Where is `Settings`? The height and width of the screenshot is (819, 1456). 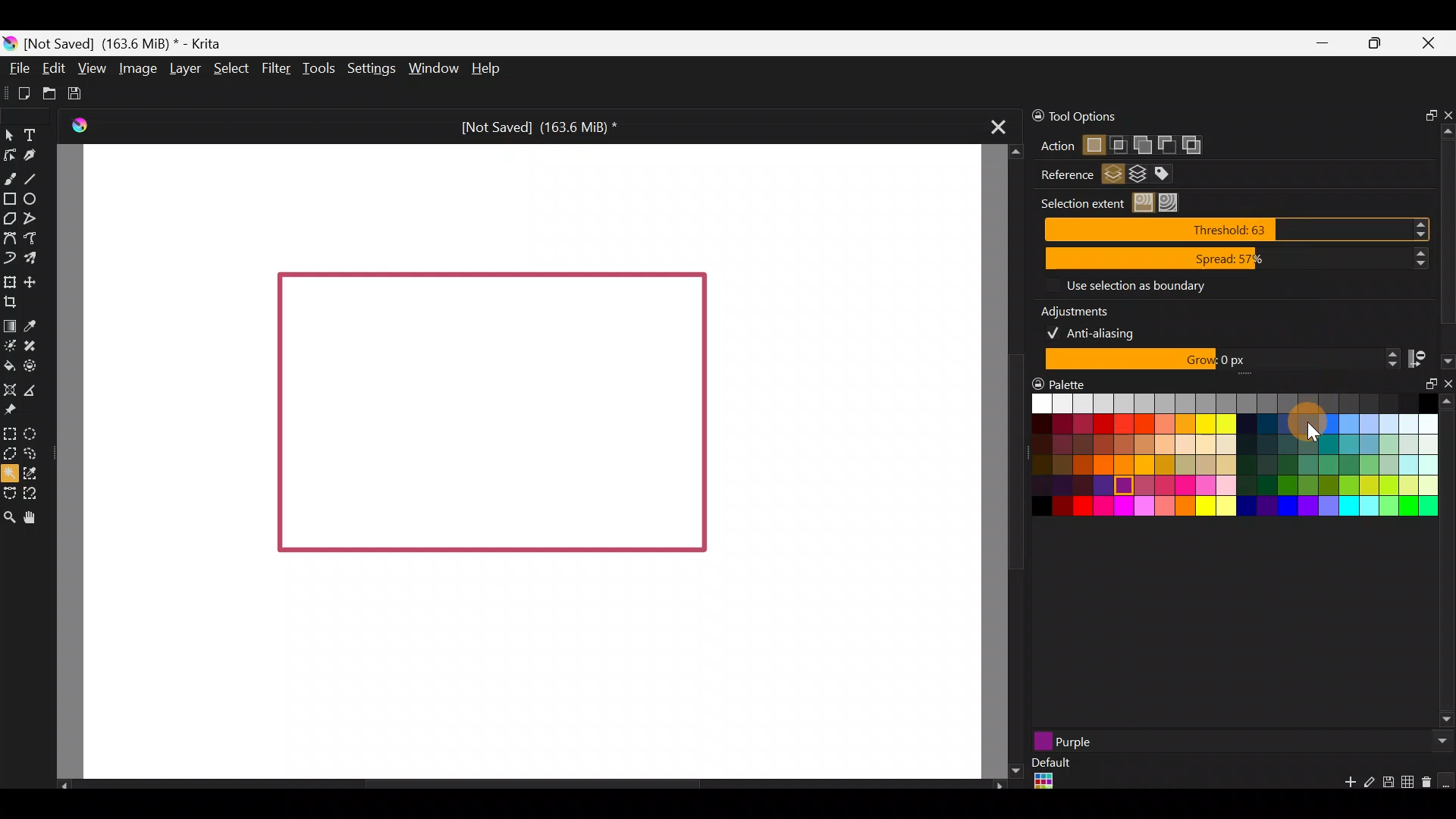
Settings is located at coordinates (369, 66).